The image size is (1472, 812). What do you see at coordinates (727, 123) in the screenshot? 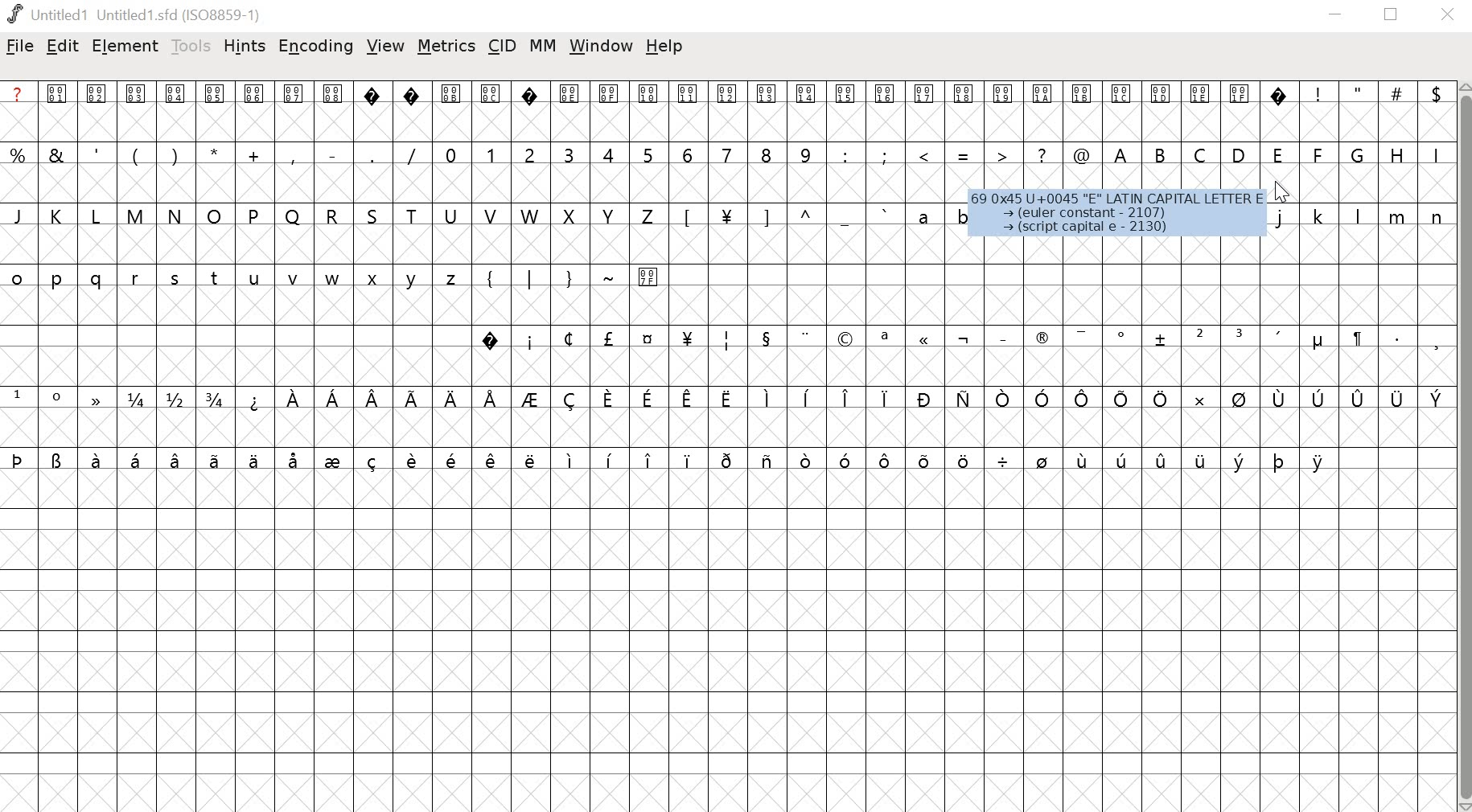
I see `empty cells` at bounding box center [727, 123].